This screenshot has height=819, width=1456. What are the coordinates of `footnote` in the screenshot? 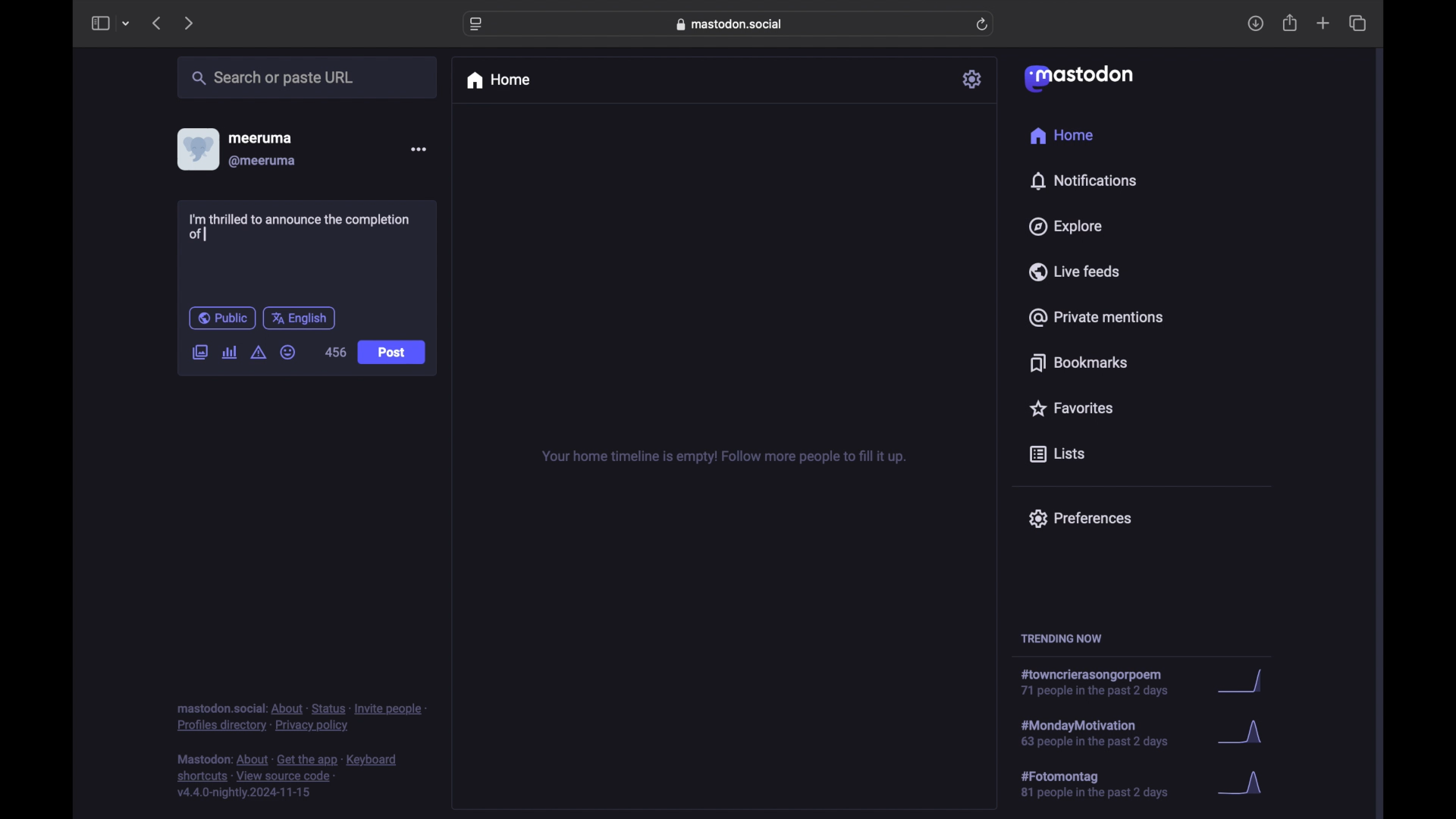 It's located at (301, 718).